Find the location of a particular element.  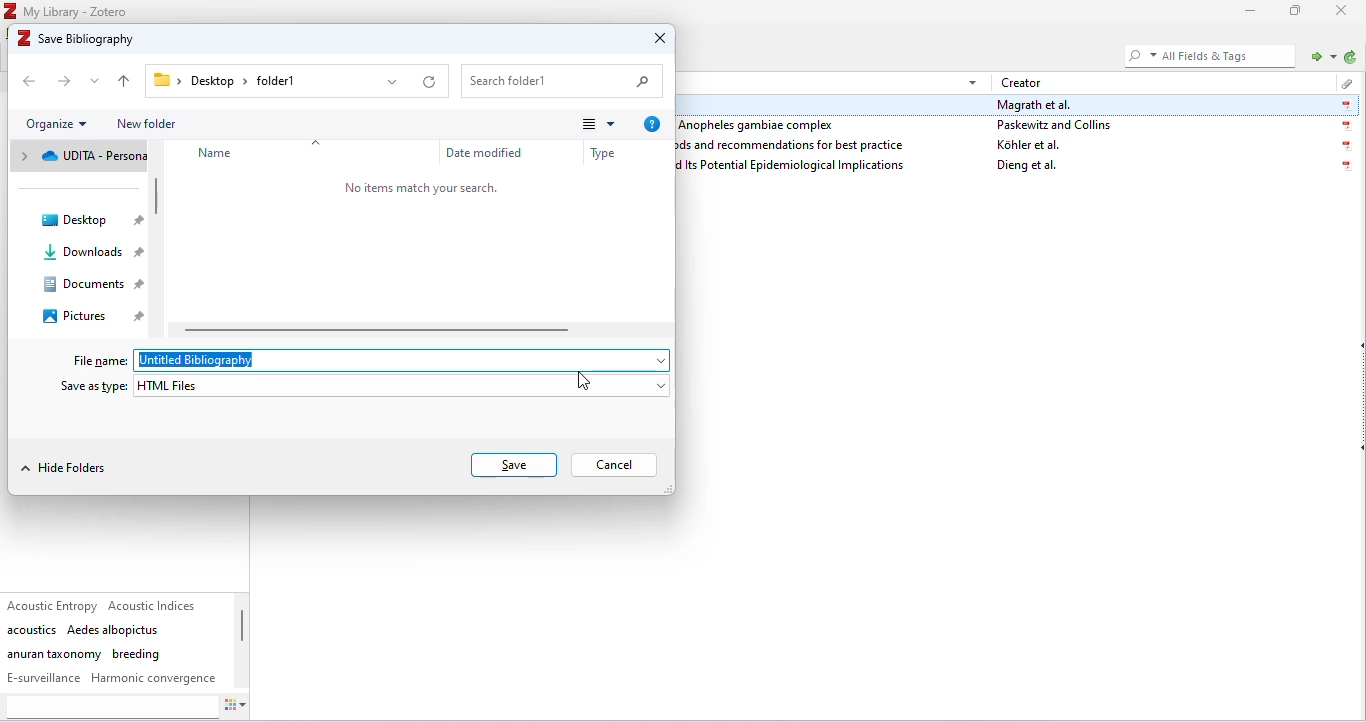

back is located at coordinates (32, 81).